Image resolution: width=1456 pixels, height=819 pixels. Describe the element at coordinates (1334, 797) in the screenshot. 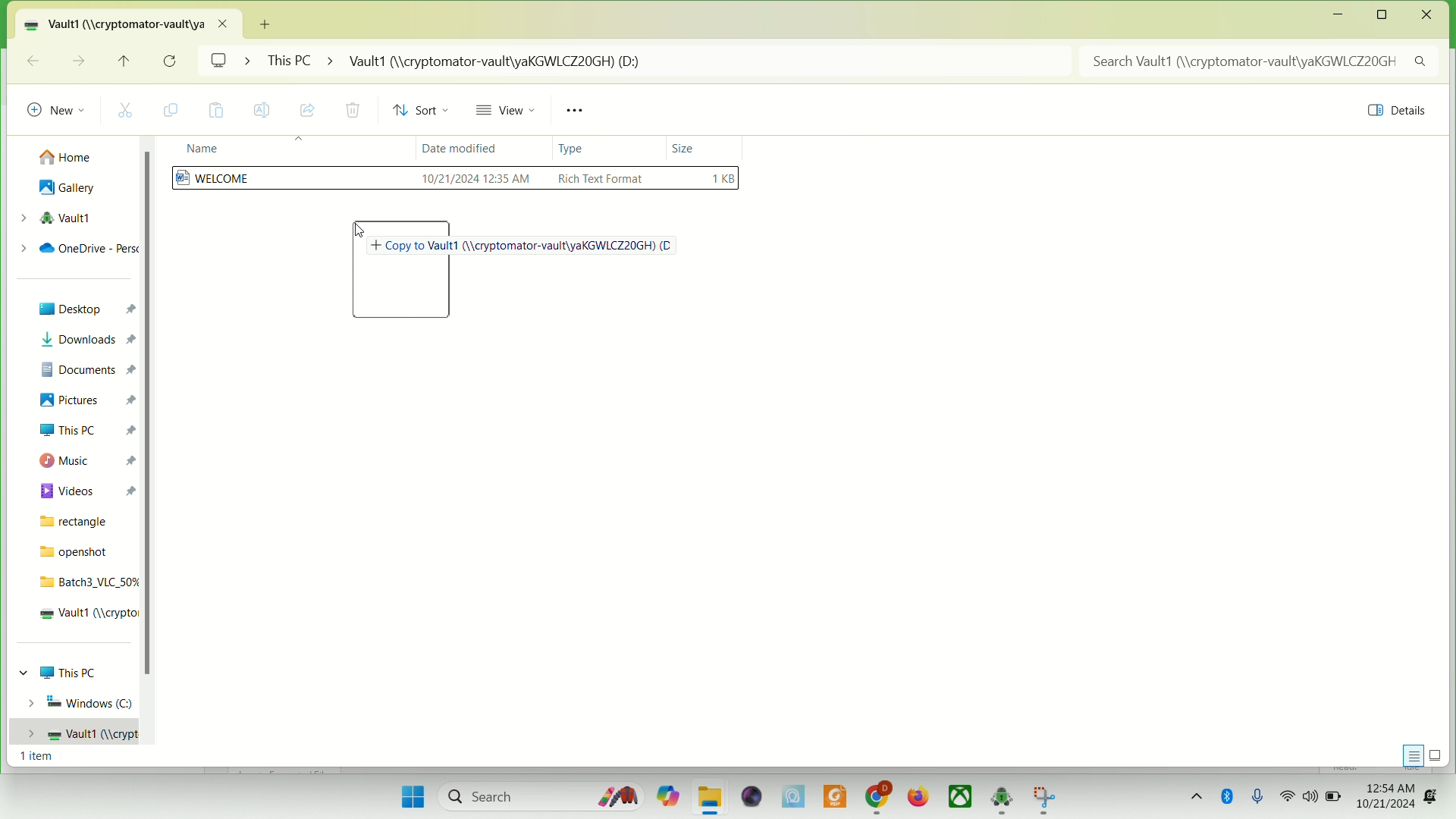

I see `battery` at that location.